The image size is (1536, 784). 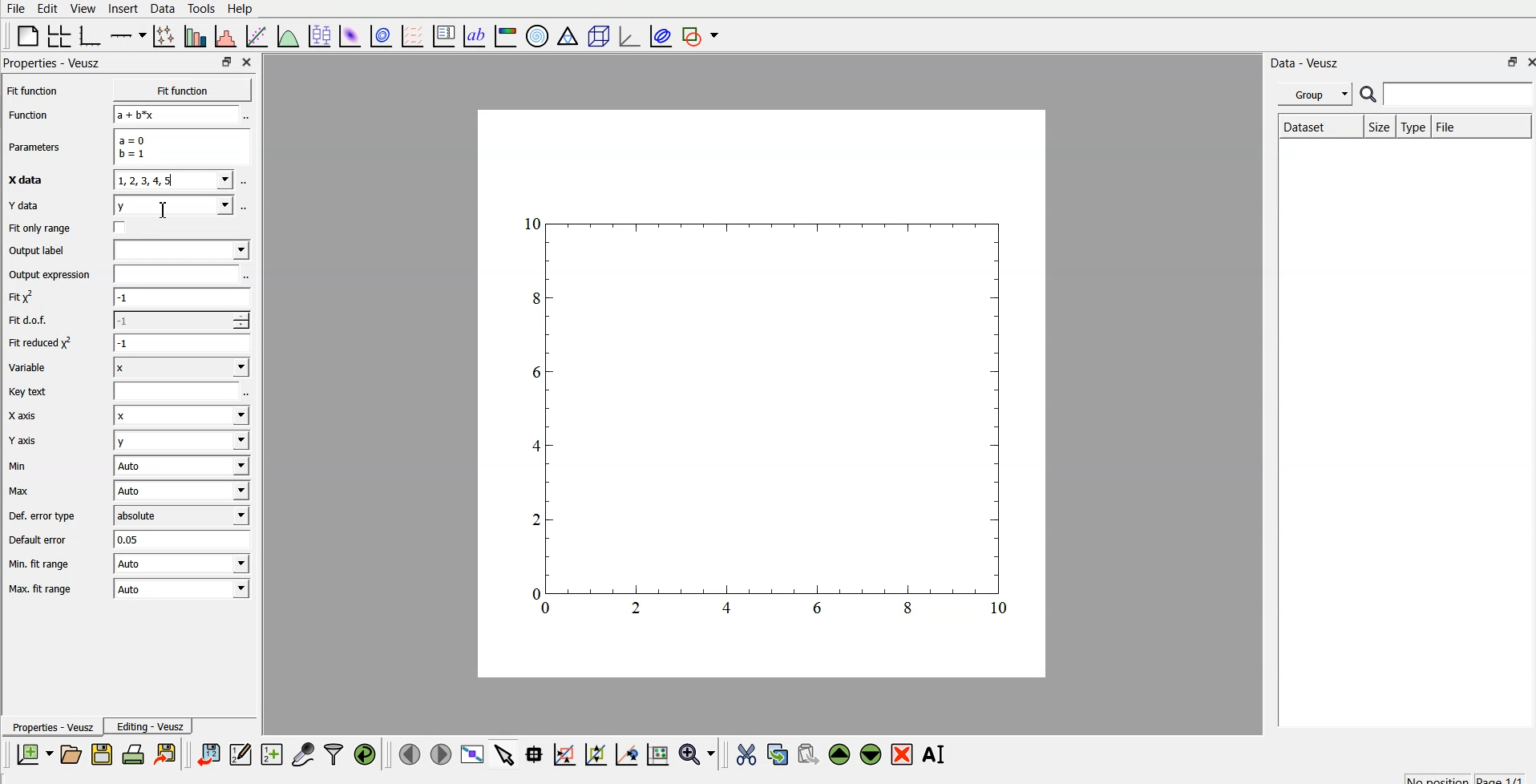 What do you see at coordinates (778, 756) in the screenshot?
I see `copy the selected widget` at bounding box center [778, 756].